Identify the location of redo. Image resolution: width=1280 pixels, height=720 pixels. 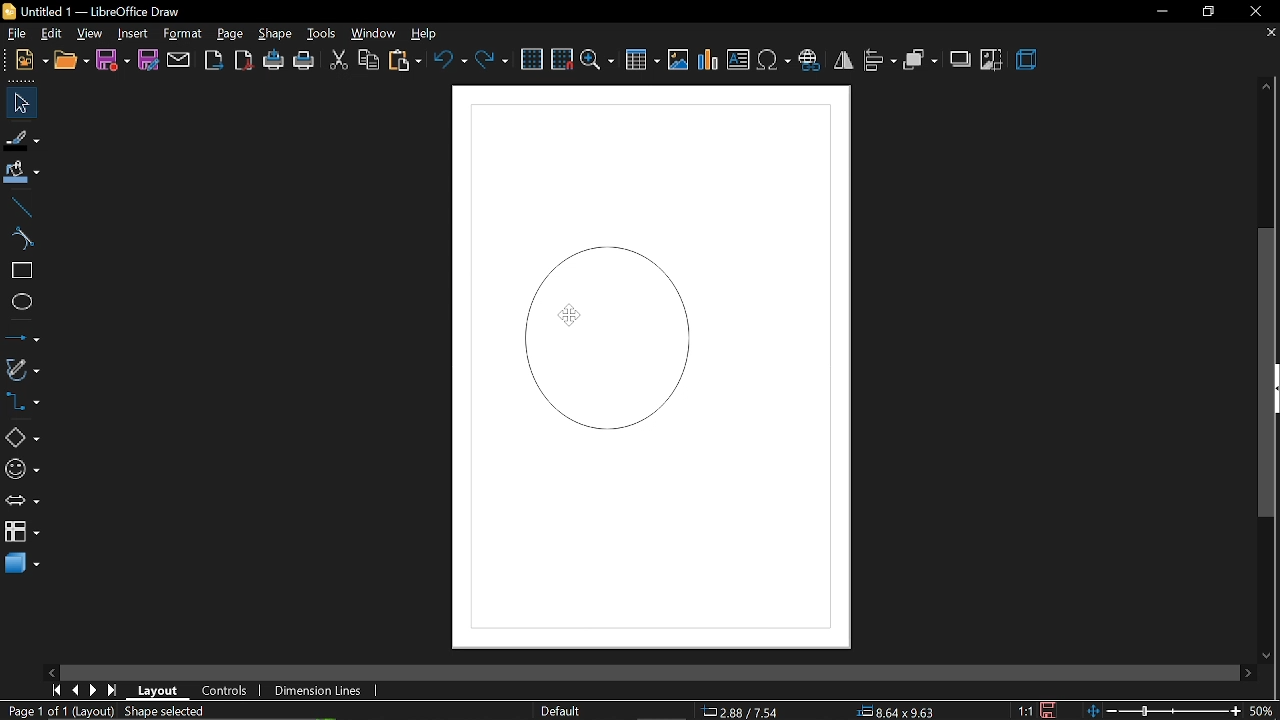
(493, 60).